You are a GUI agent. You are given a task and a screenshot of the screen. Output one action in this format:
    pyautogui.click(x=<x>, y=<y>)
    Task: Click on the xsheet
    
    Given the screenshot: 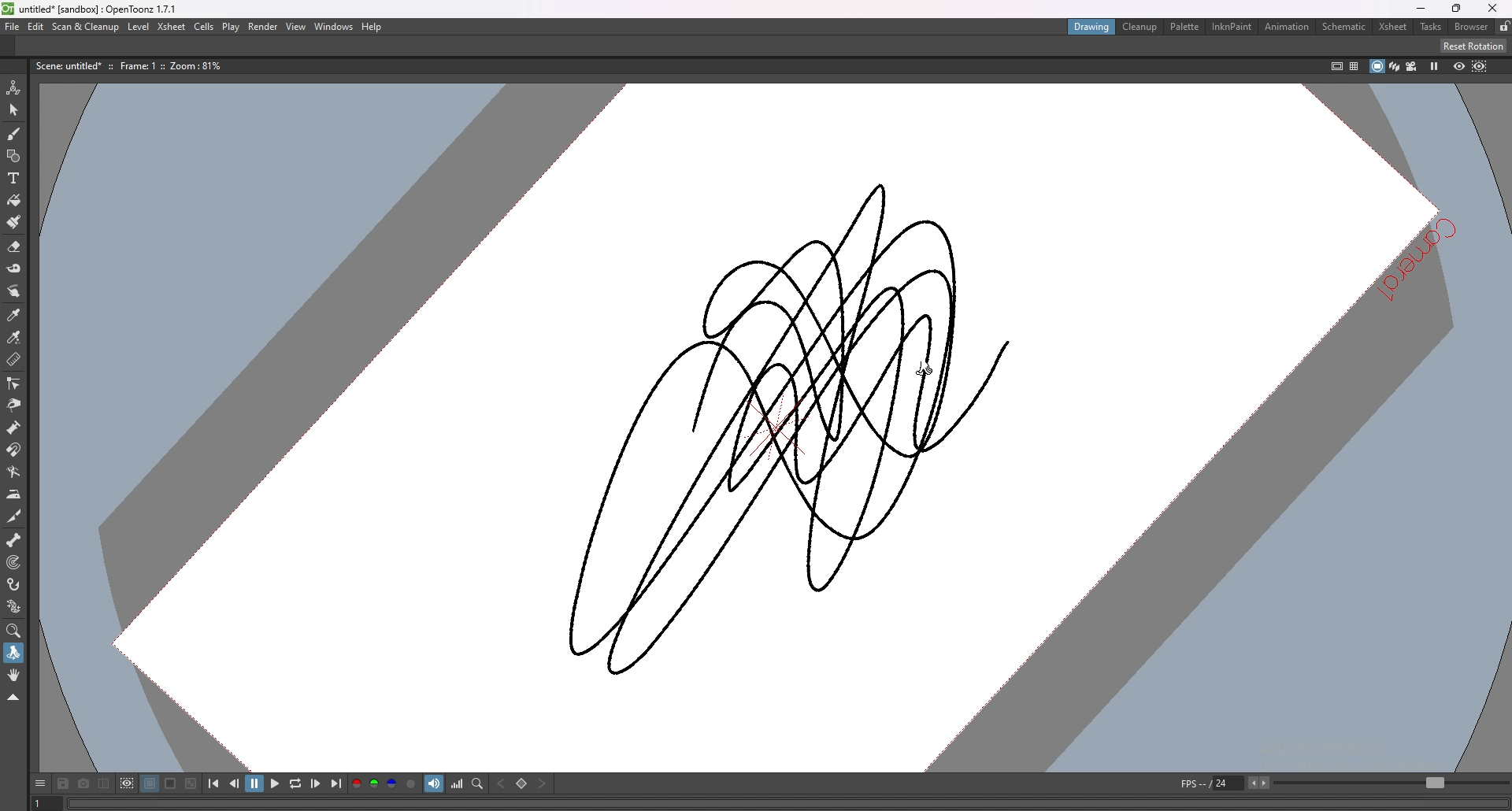 What is the action you would take?
    pyautogui.click(x=172, y=26)
    